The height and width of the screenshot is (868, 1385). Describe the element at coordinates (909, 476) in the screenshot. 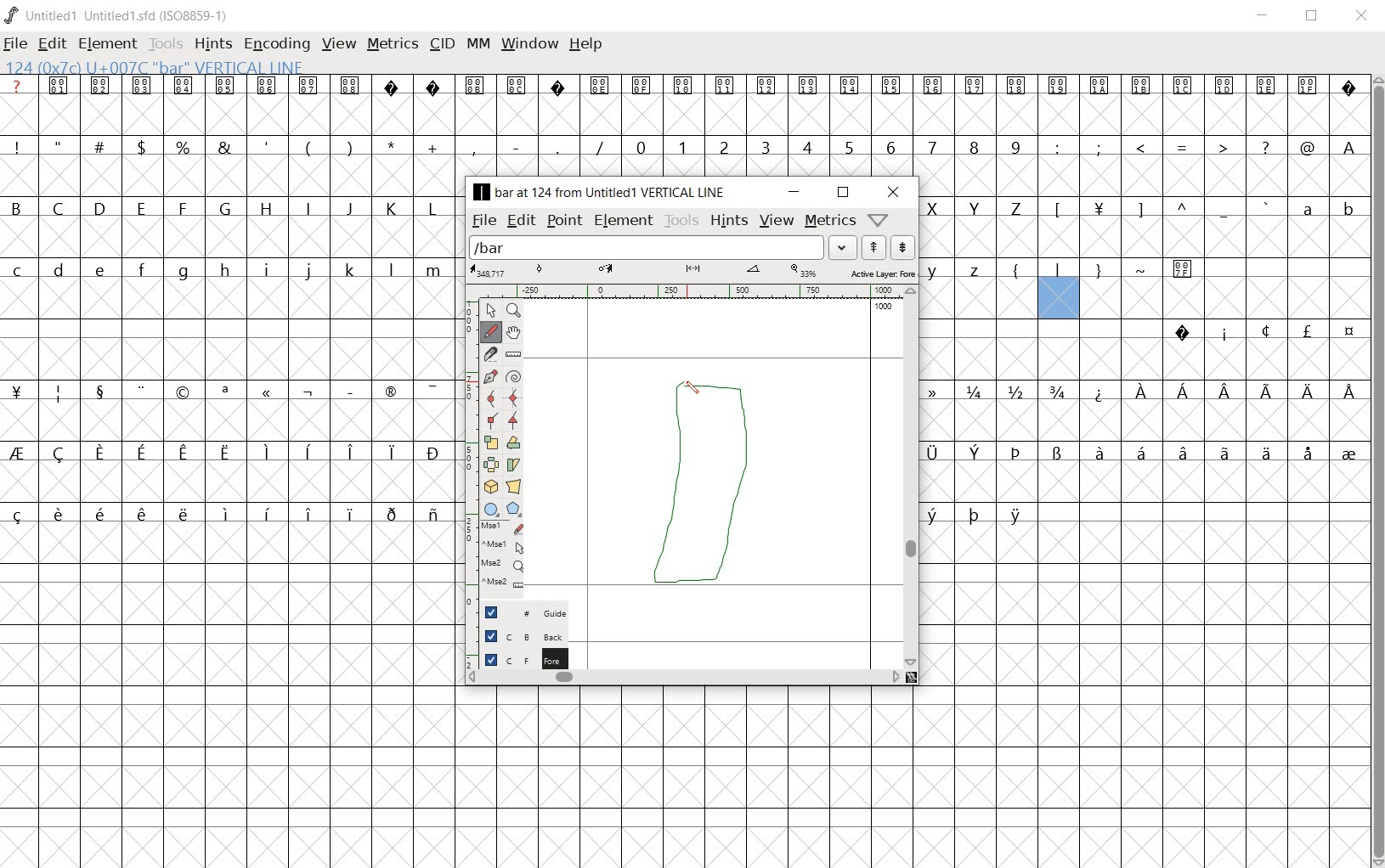

I see `scrollbar` at that location.